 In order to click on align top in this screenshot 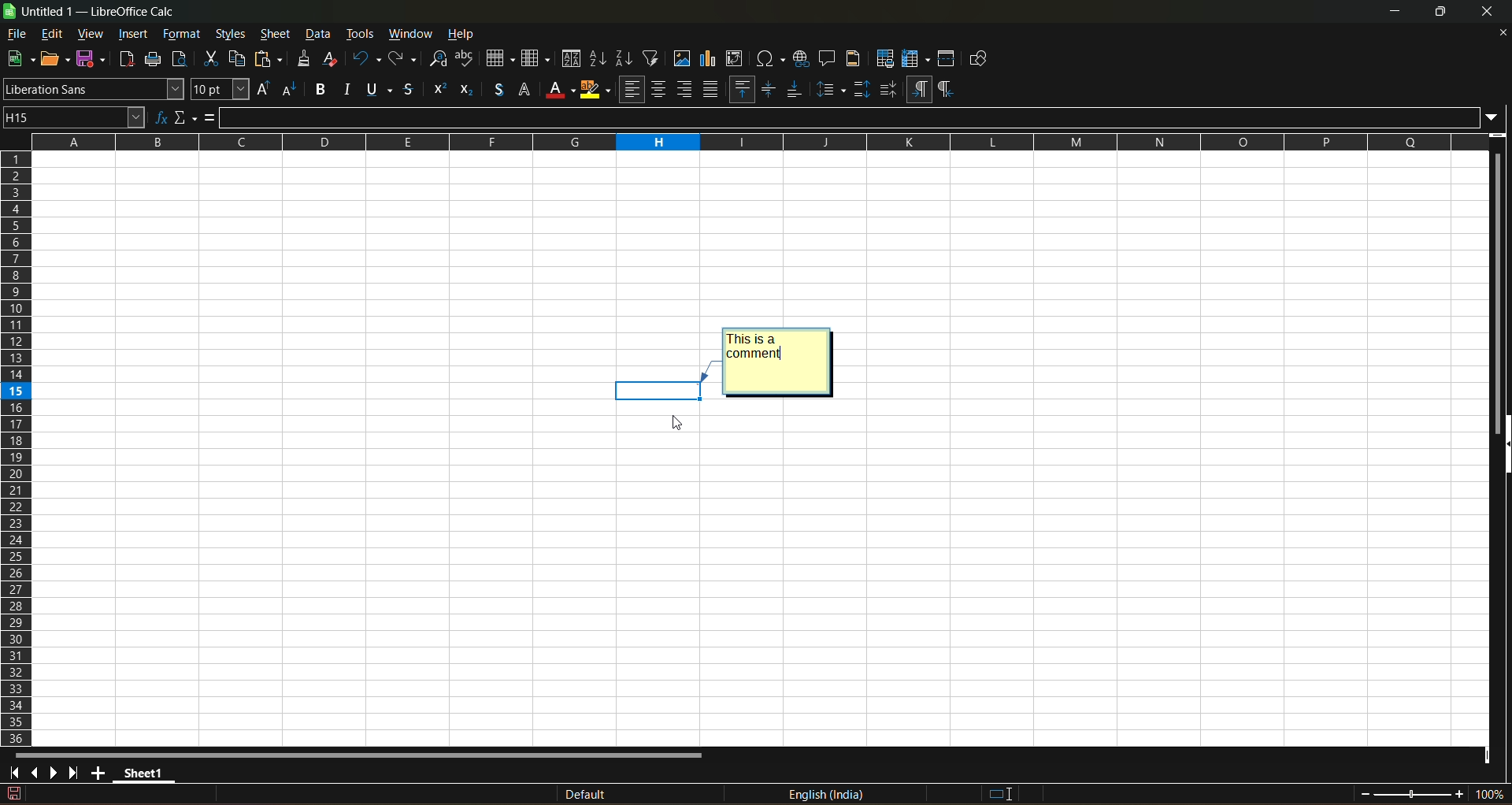, I will do `click(521, 87)`.